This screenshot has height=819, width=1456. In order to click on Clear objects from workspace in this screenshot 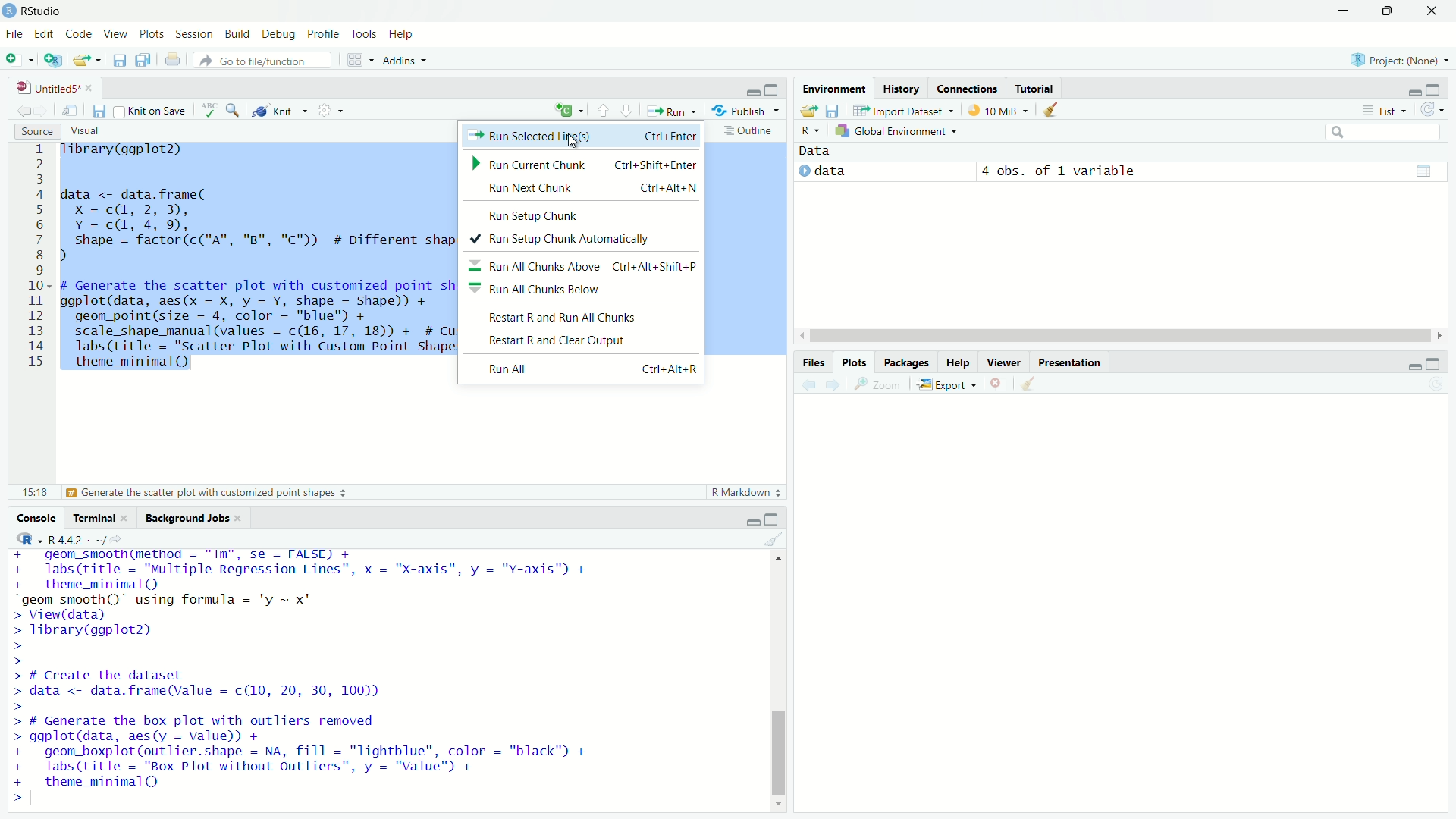, I will do `click(1046, 109)`.